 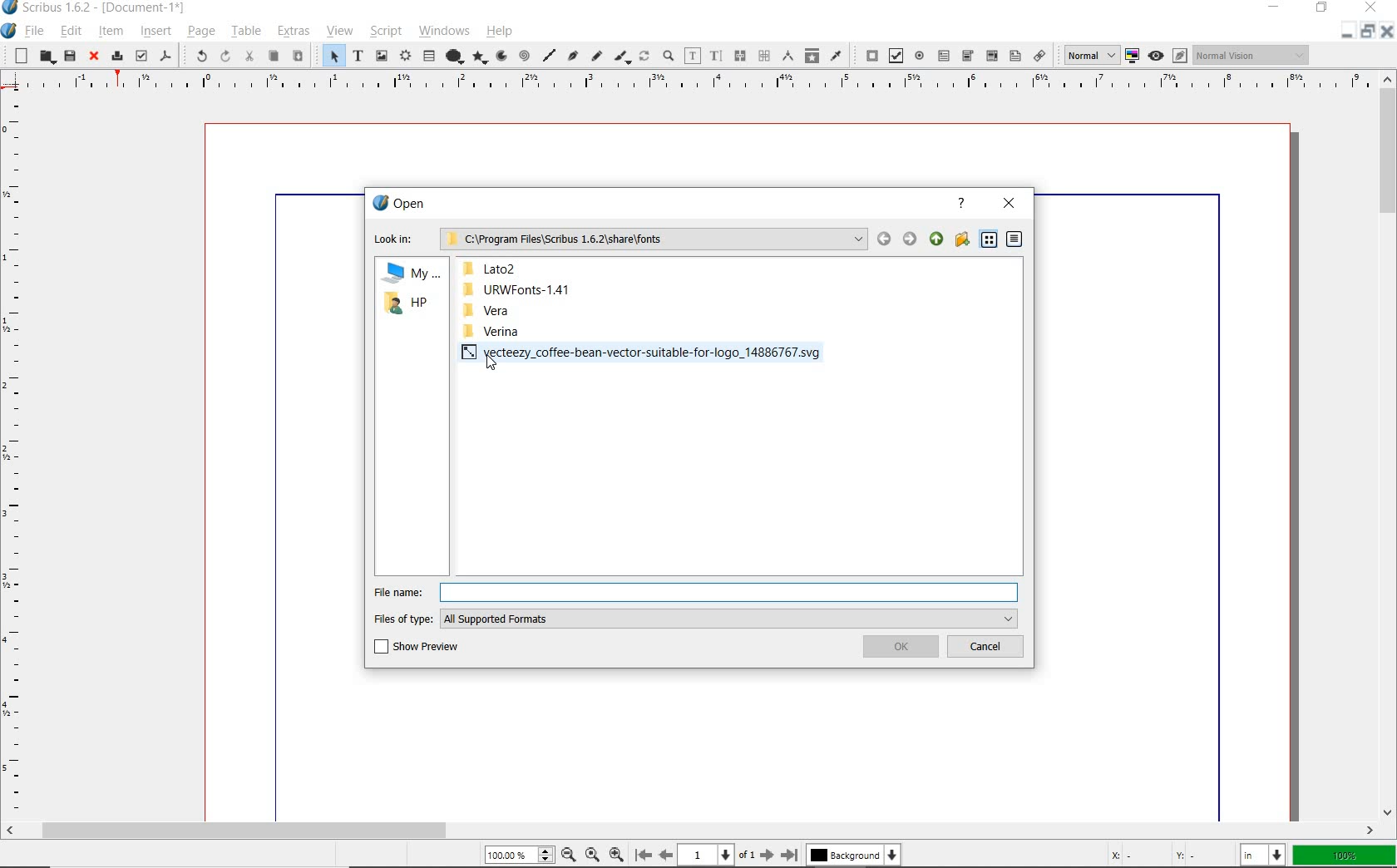 I want to click on pdf push button, so click(x=866, y=55).